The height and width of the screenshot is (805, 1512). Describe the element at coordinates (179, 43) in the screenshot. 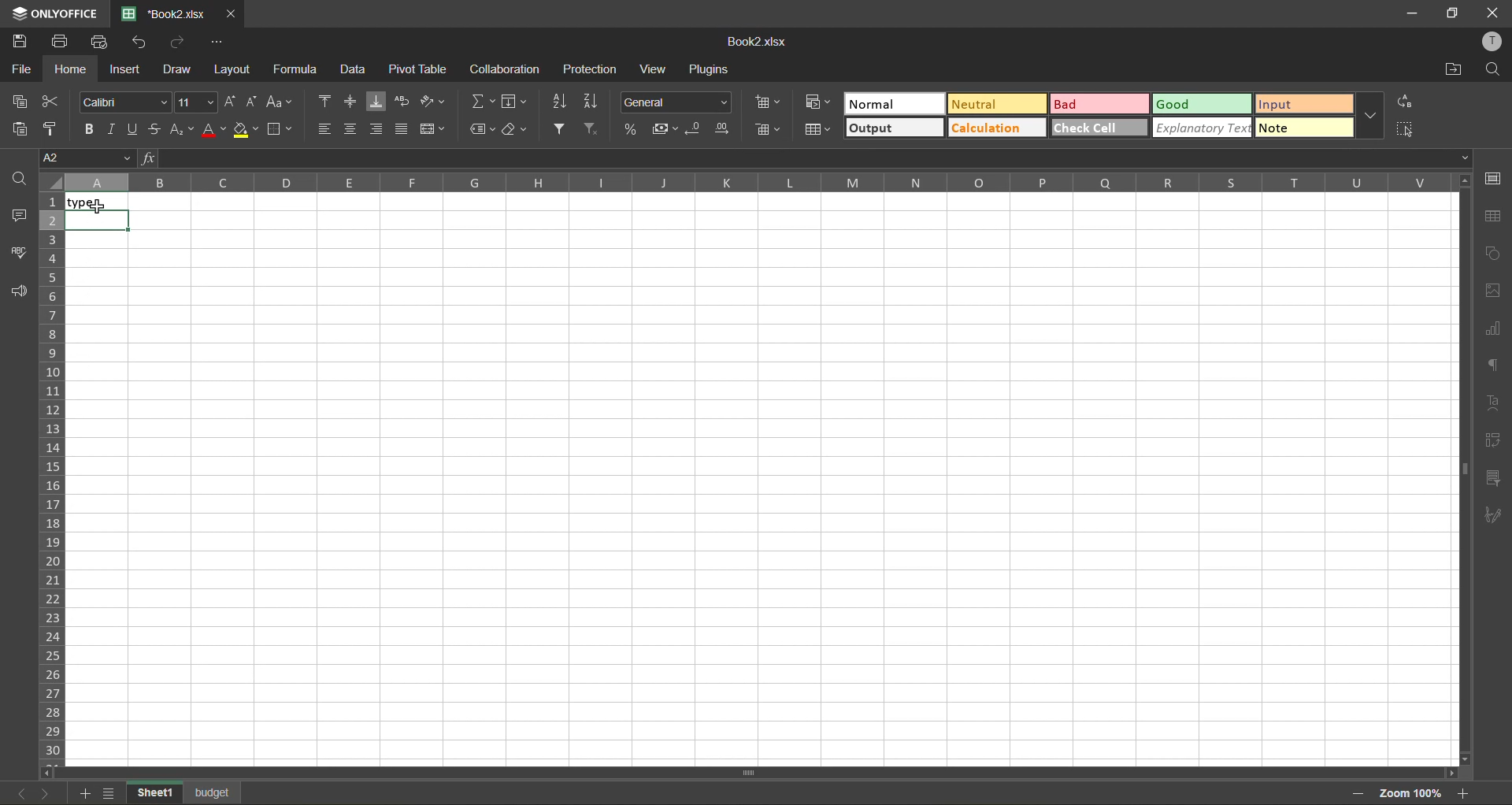

I see `redo` at that location.